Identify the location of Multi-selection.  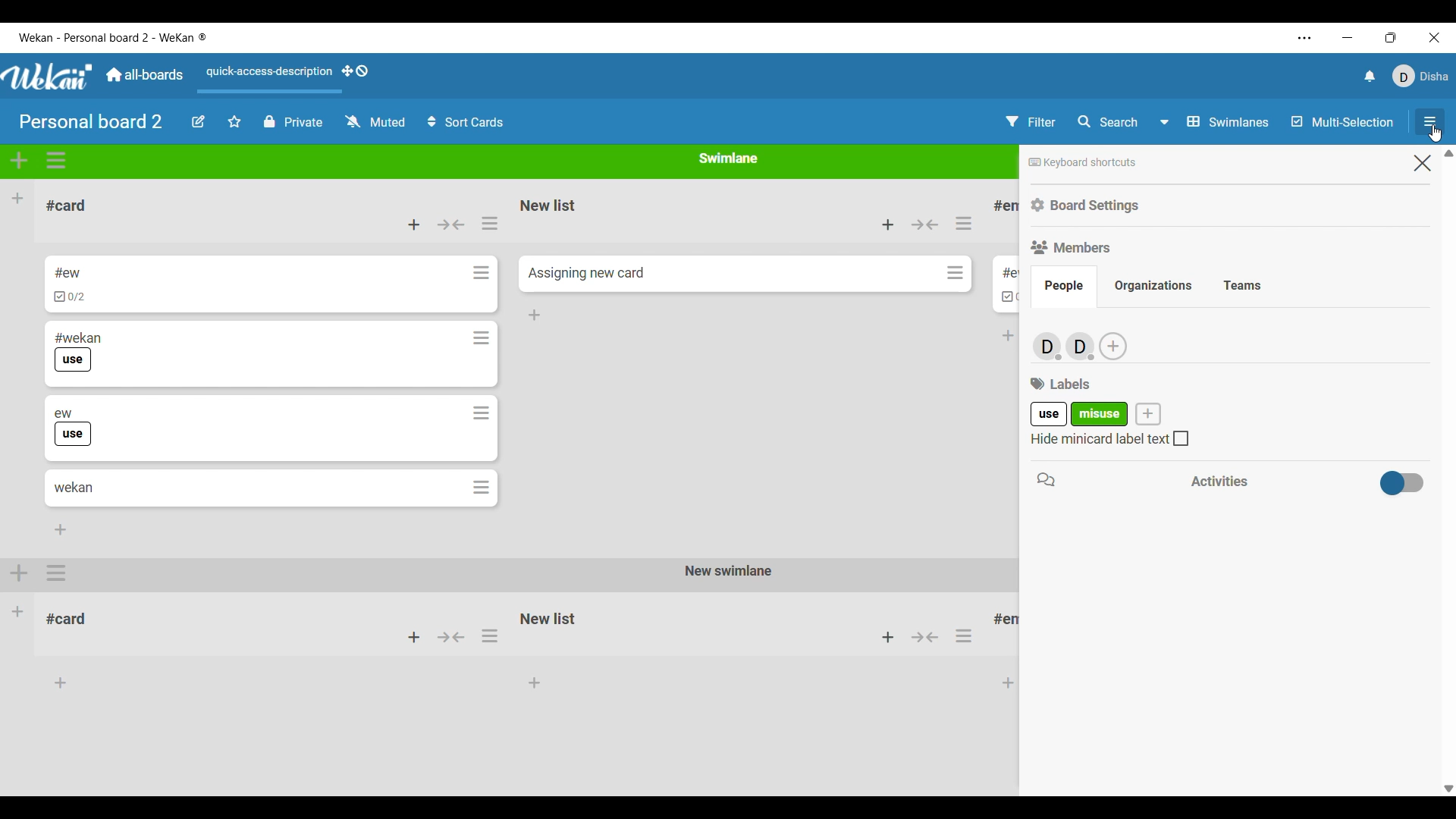
(1342, 121).